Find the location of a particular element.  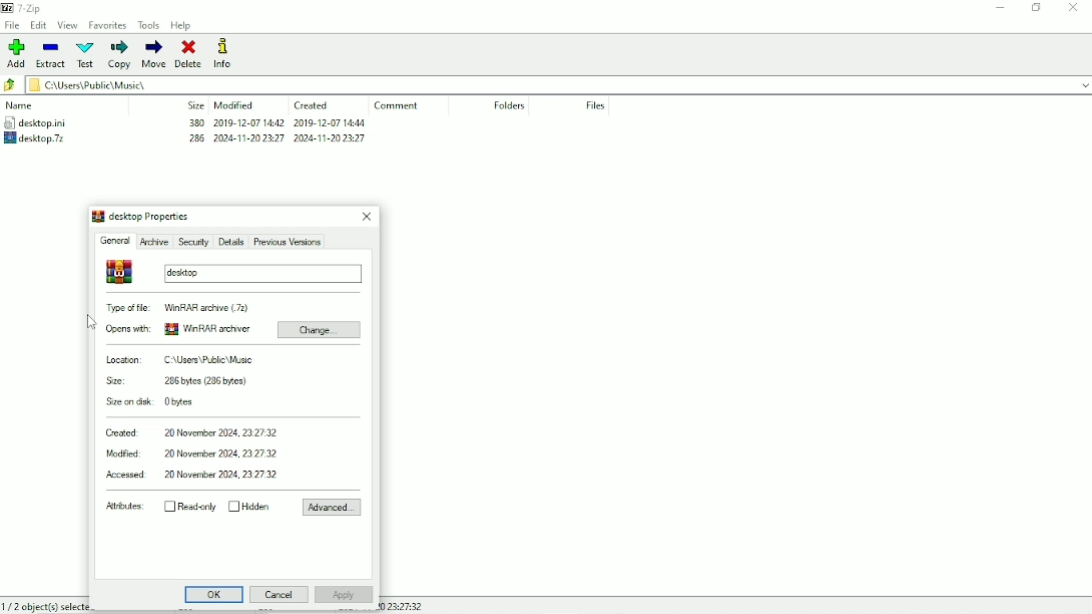

desktop.7z is located at coordinates (48, 138).